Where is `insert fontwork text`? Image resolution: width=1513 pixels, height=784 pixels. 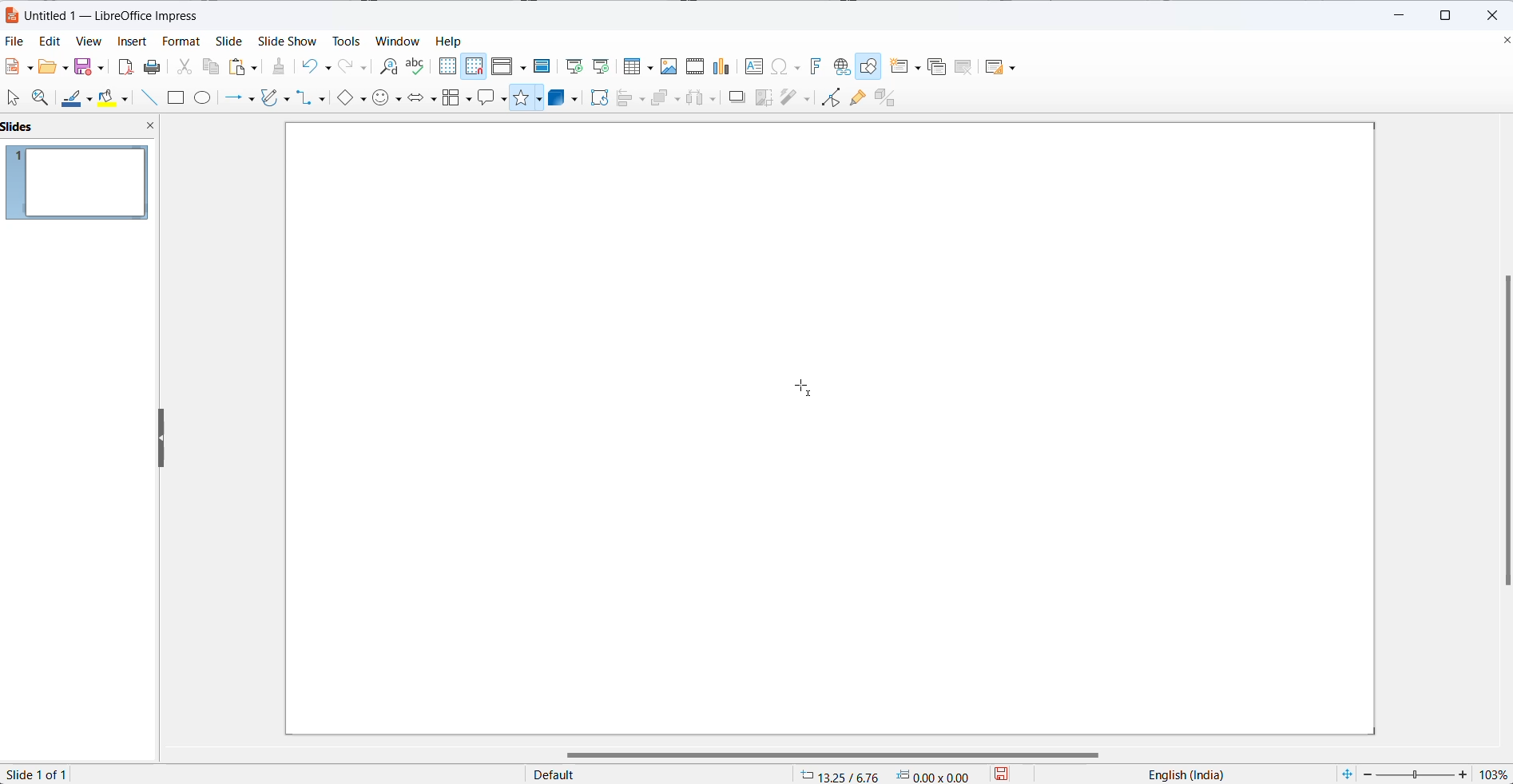
insert fontwork text is located at coordinates (812, 66).